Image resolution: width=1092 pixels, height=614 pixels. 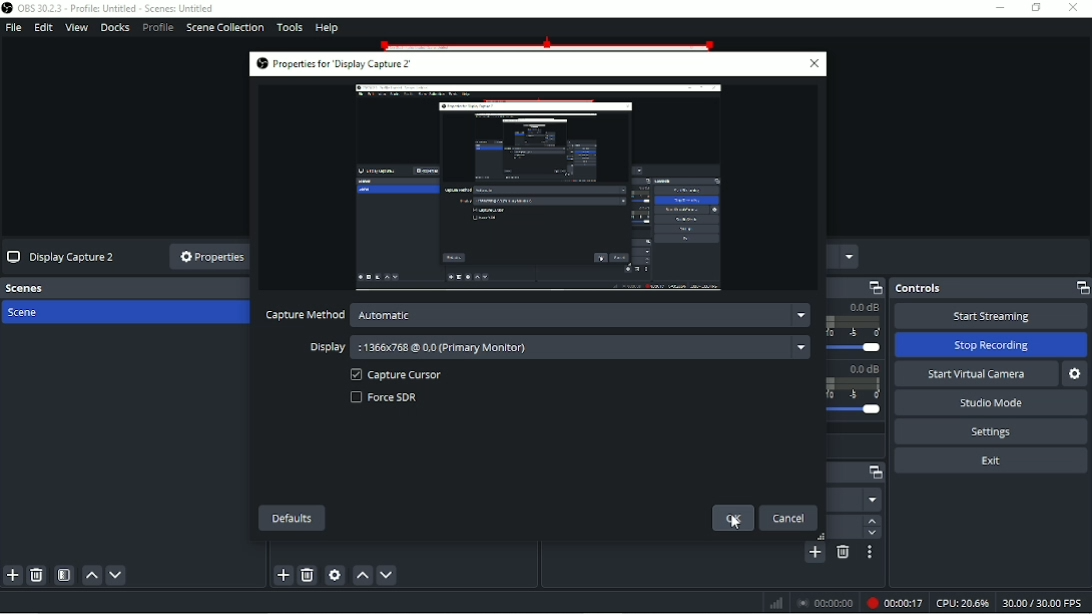 I want to click on Tools, so click(x=290, y=27).